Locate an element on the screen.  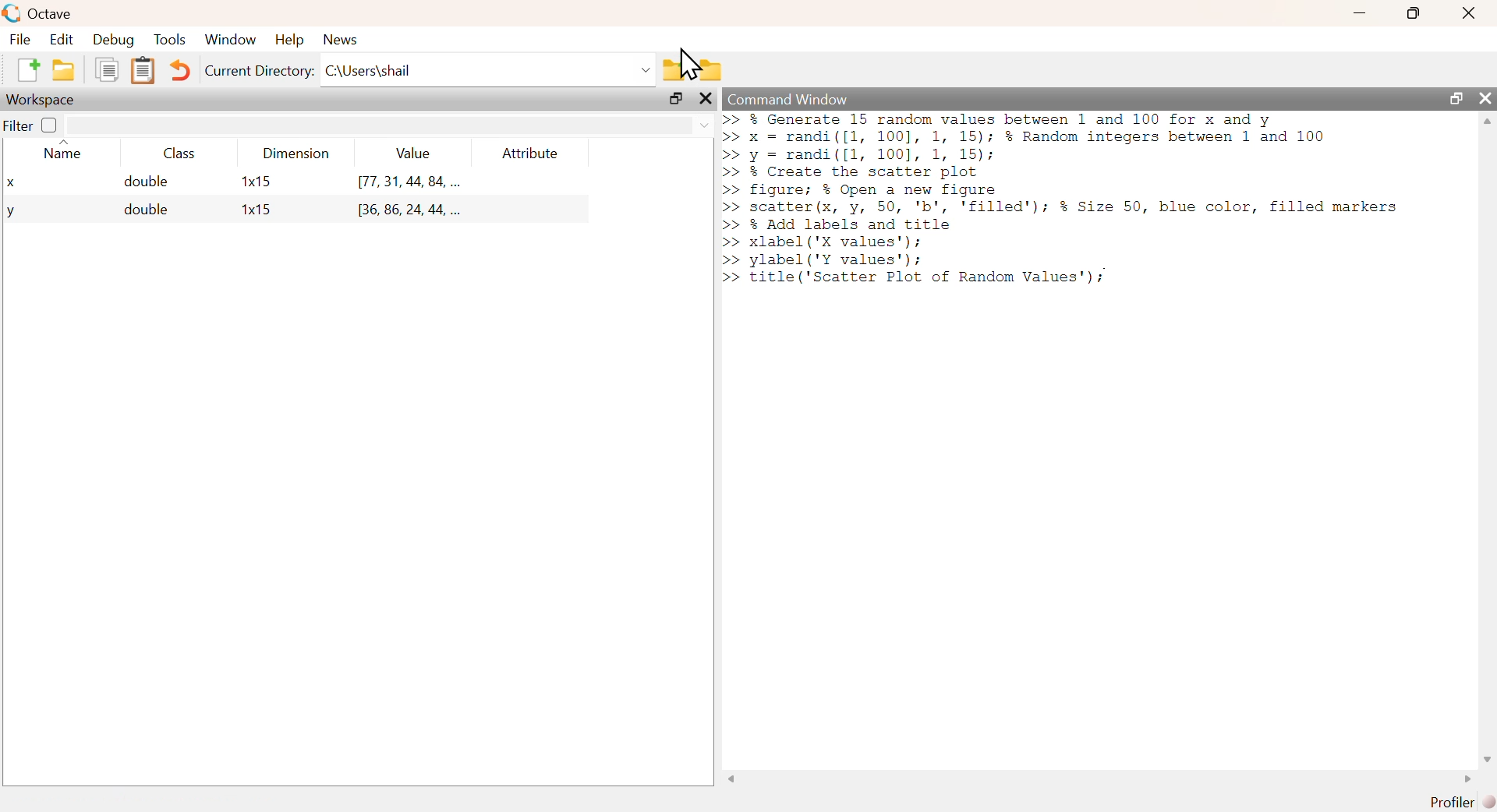
maximize is located at coordinates (1454, 97).